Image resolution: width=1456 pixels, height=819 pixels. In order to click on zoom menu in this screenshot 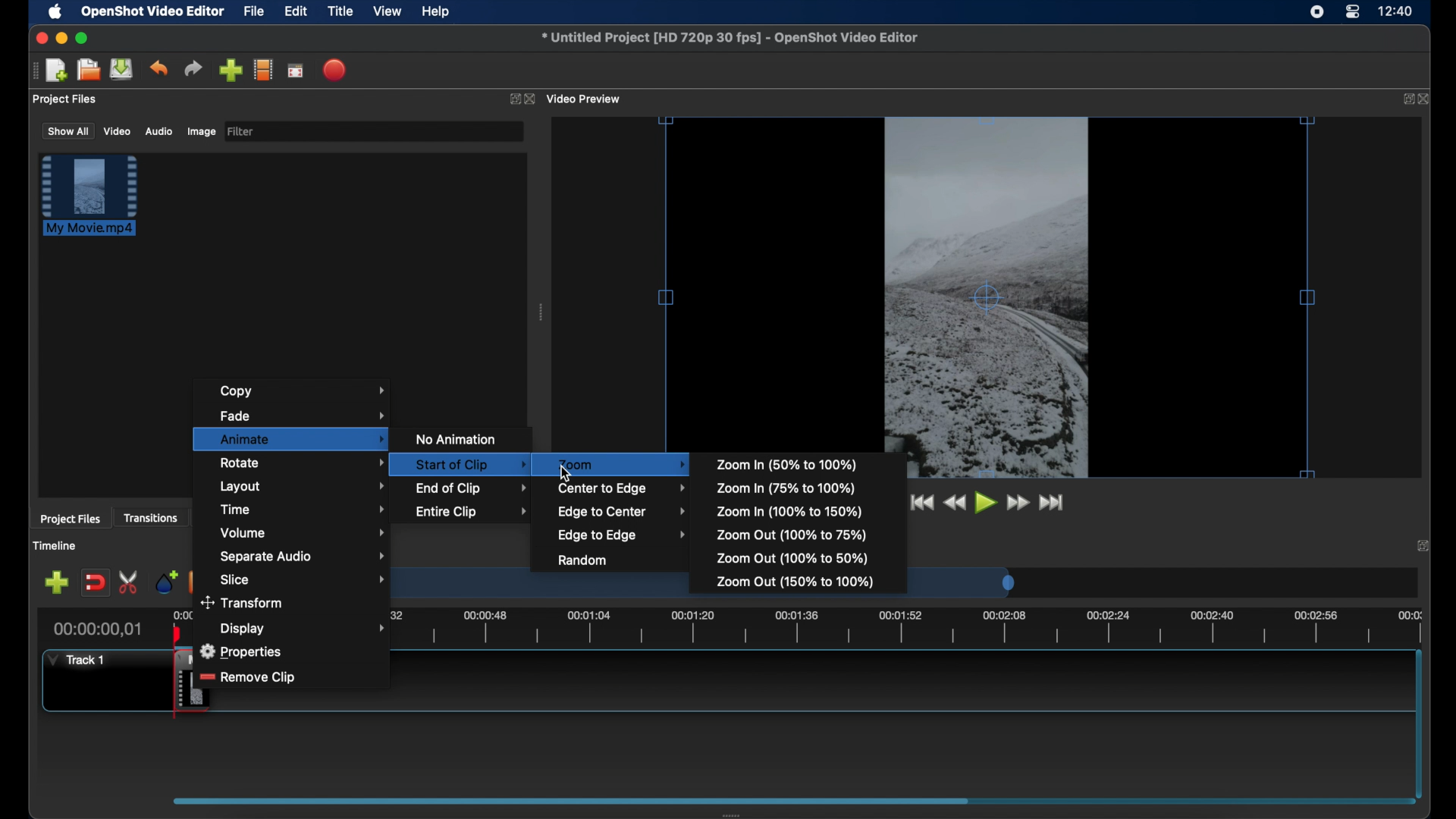, I will do `click(622, 464)`.